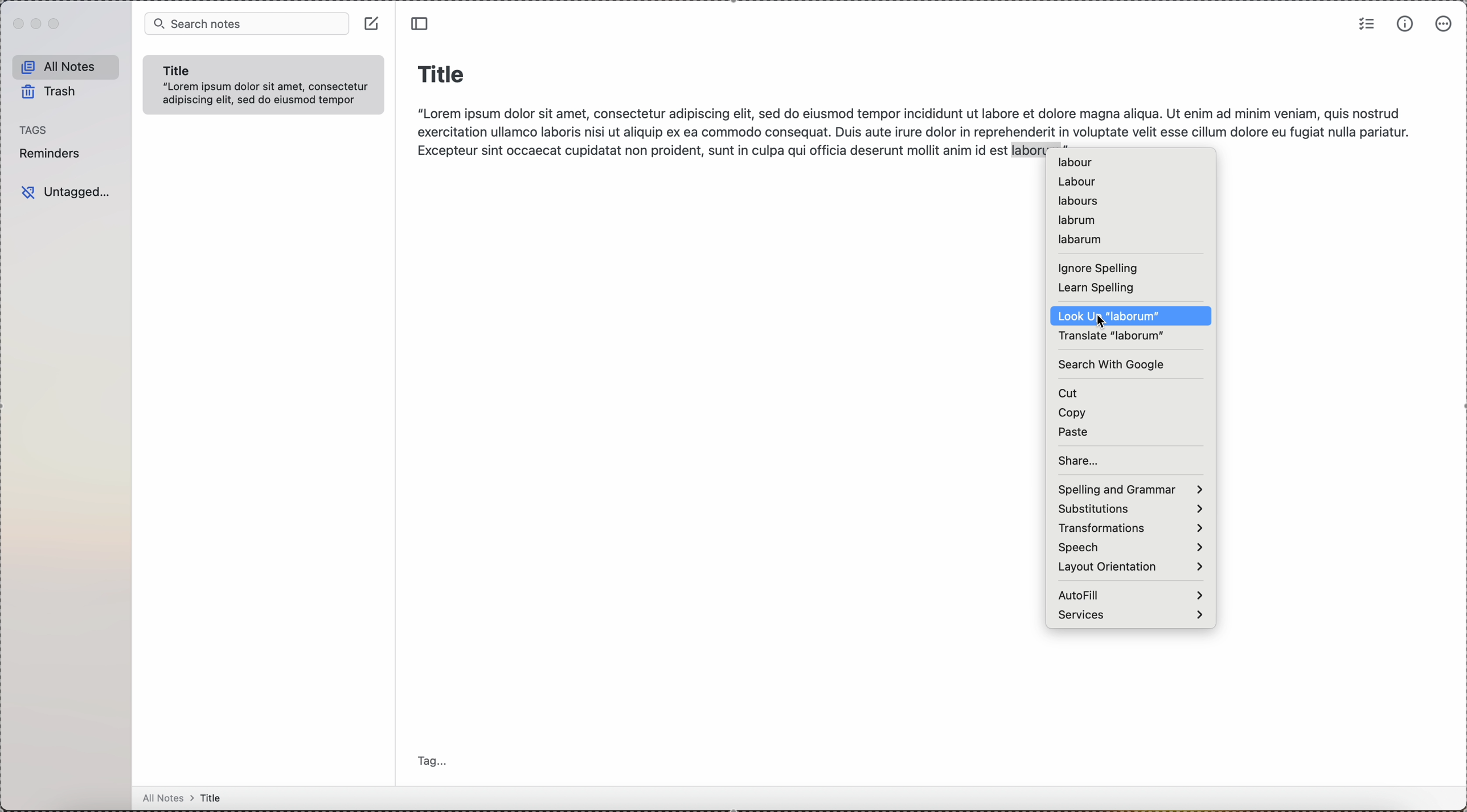  I want to click on transformations, so click(1135, 528).